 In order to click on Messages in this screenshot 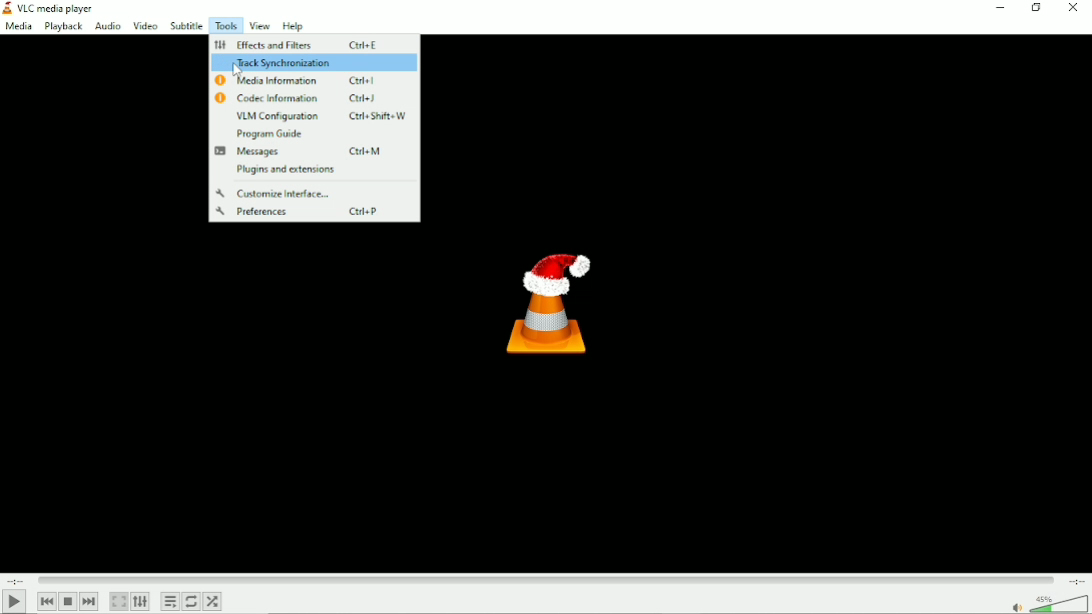, I will do `click(314, 152)`.